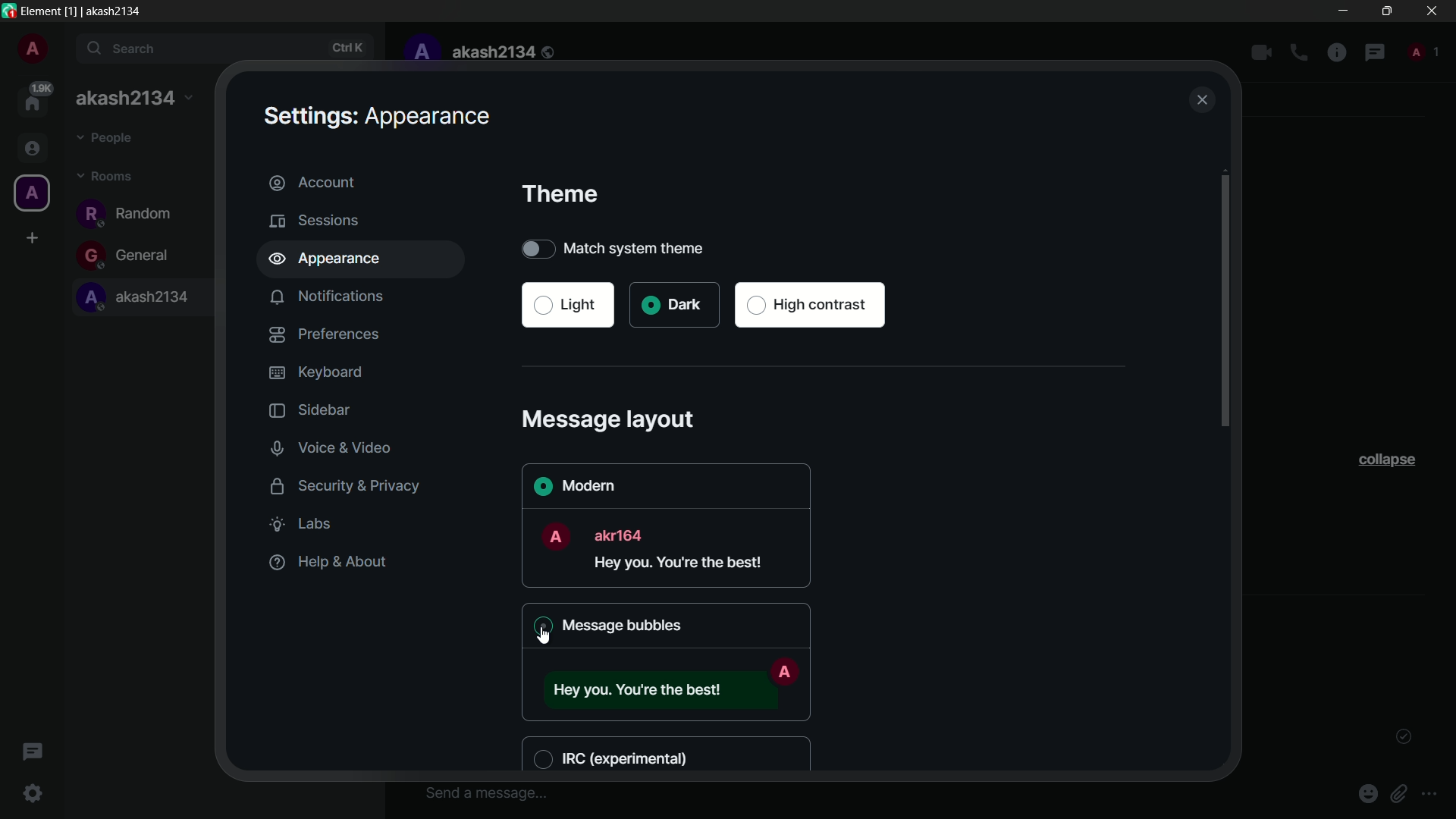  Describe the element at coordinates (1370, 792) in the screenshot. I see `emoji` at that location.